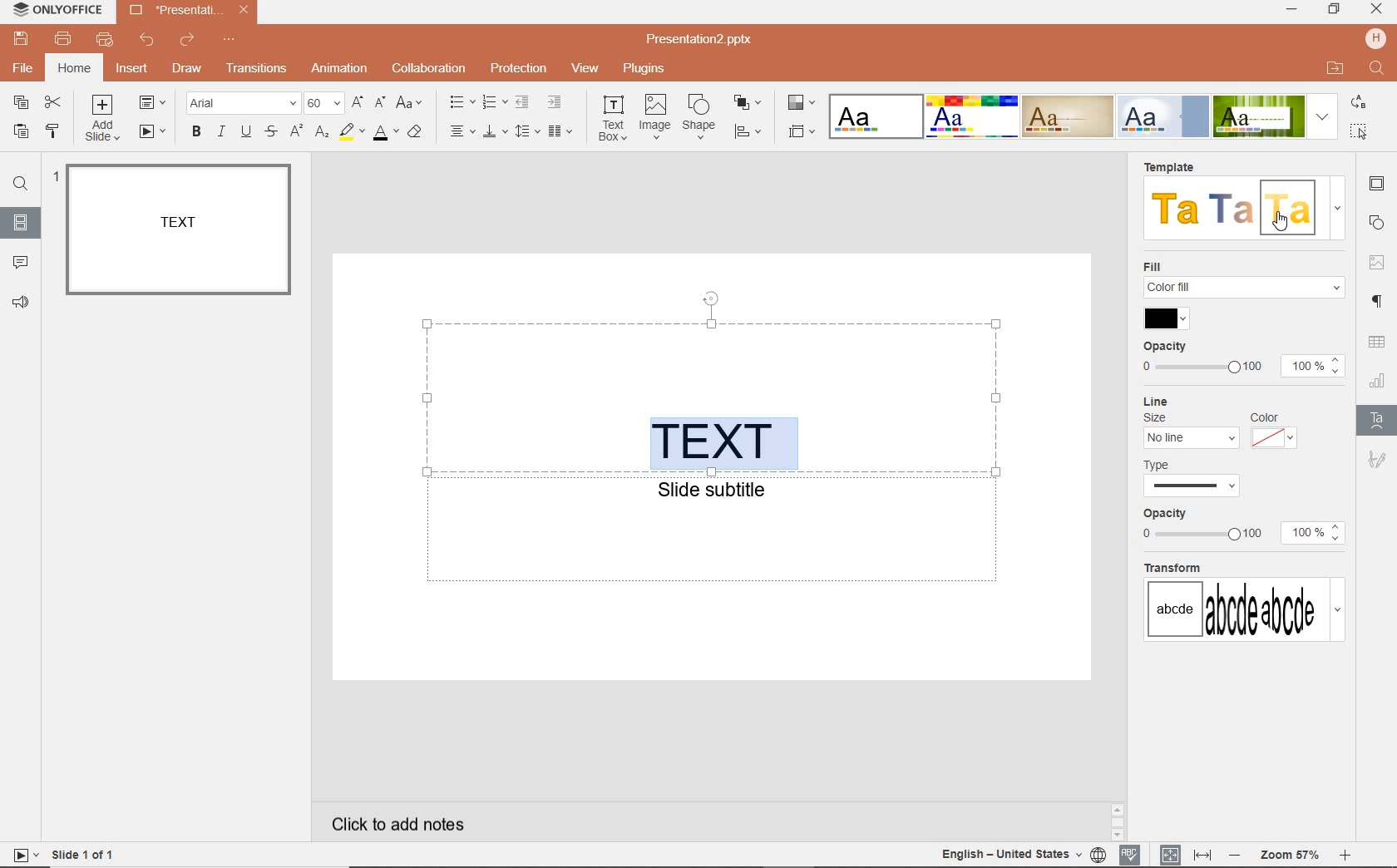 The image size is (1397, 868). What do you see at coordinates (1378, 343) in the screenshot?
I see `table` at bounding box center [1378, 343].